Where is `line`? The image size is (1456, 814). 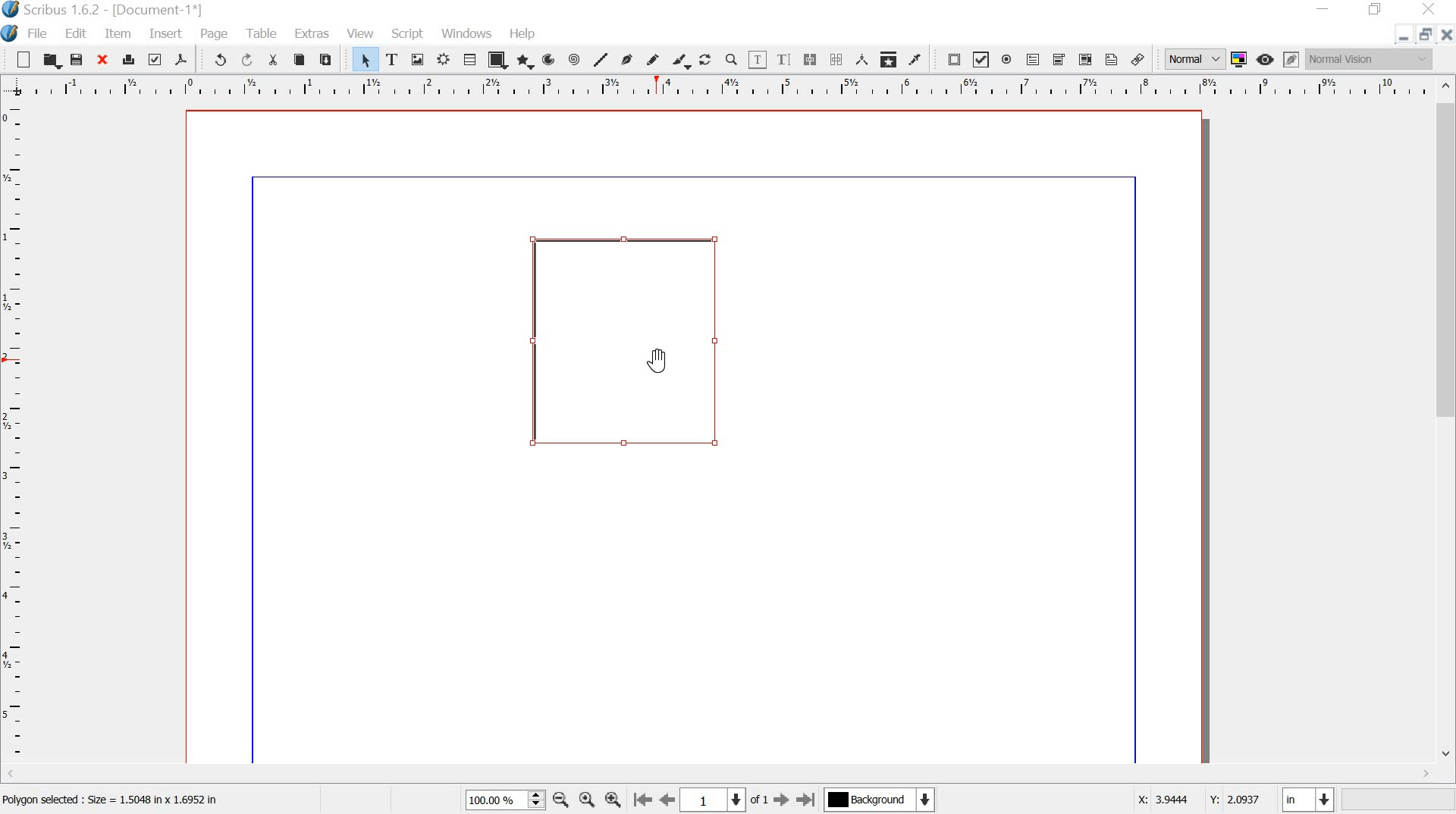
line is located at coordinates (602, 59).